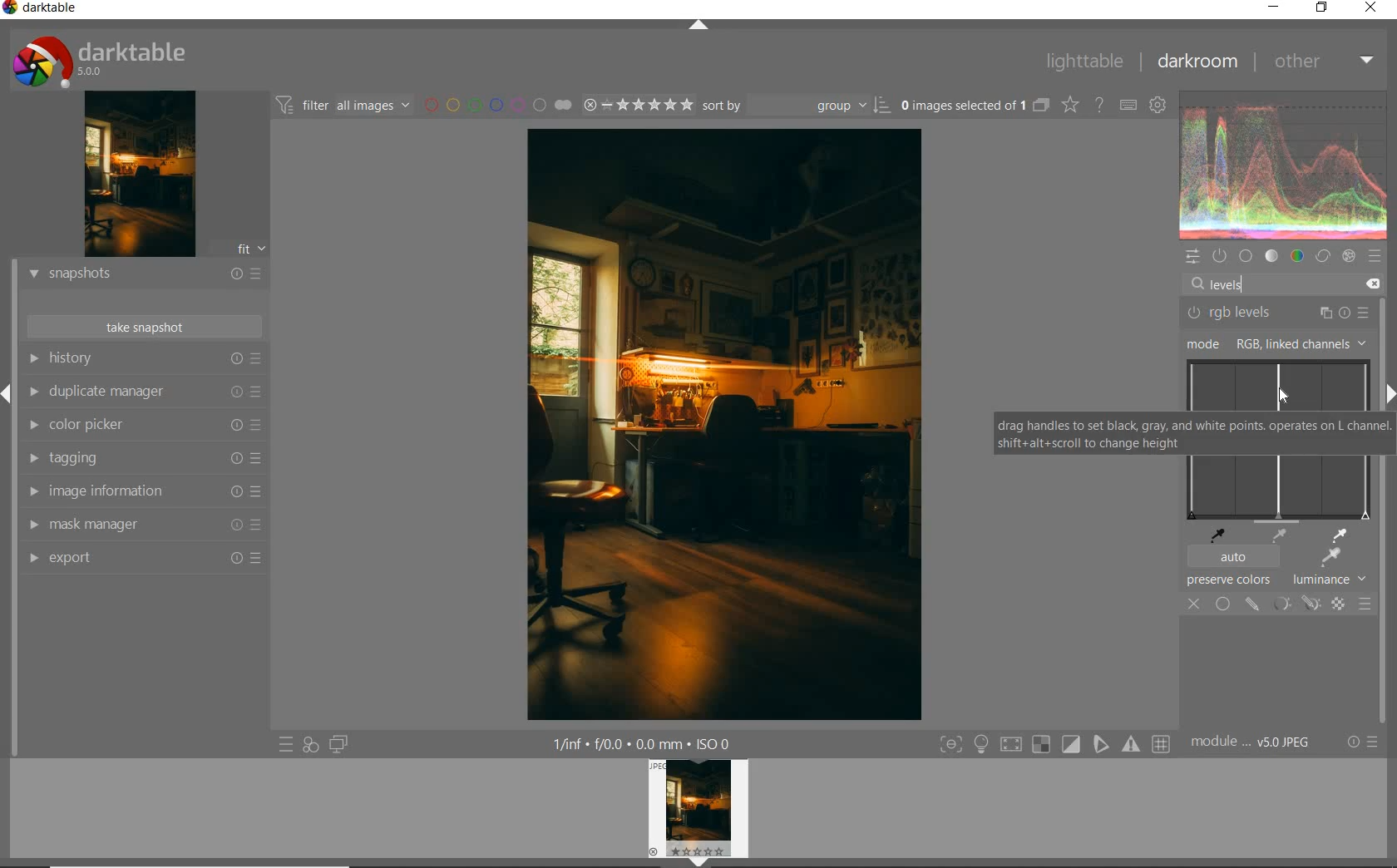 The width and height of the screenshot is (1397, 868). I want to click on expand grouped images, so click(975, 105).